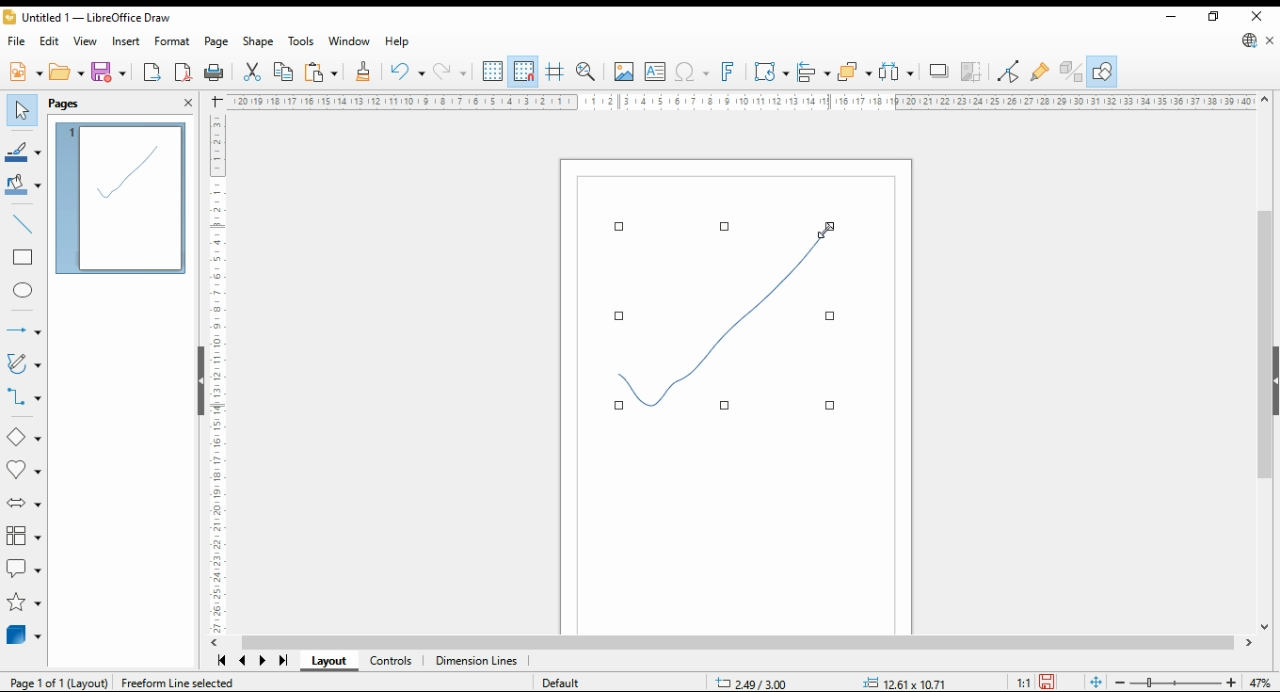 This screenshot has width=1280, height=692. I want to click on zoom factor, so click(1260, 683).